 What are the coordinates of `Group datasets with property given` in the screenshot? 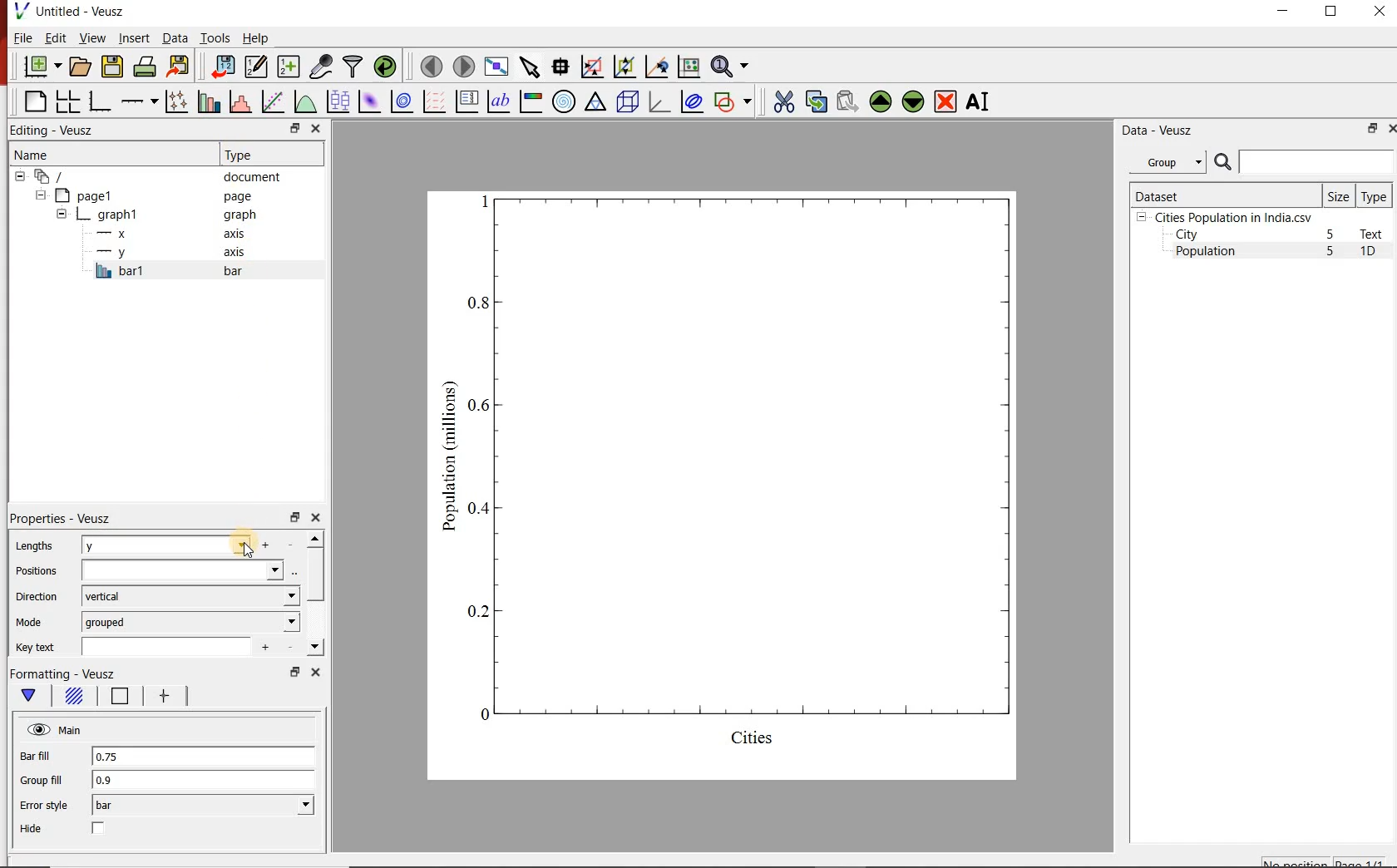 It's located at (1167, 161).